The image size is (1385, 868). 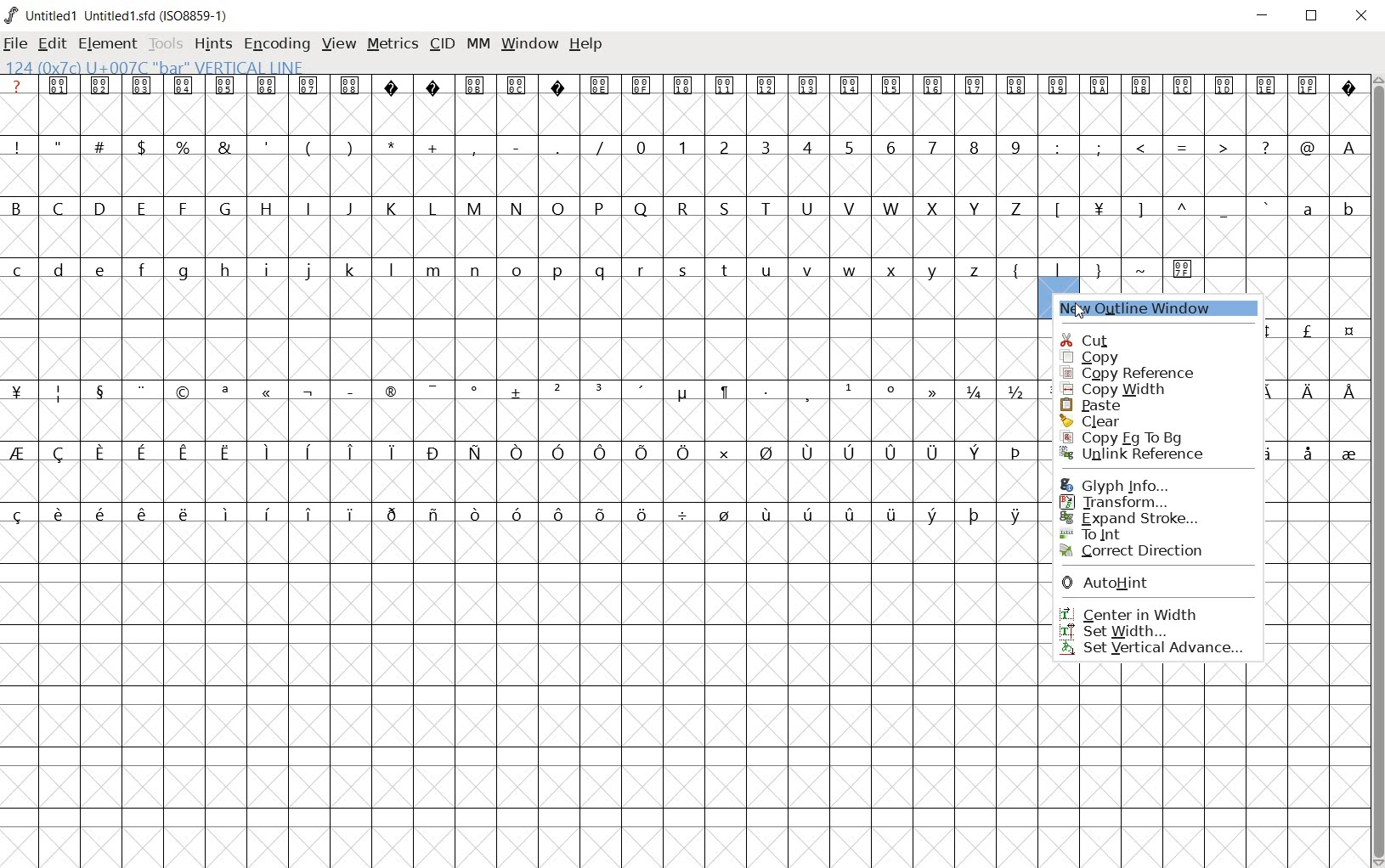 What do you see at coordinates (1157, 532) in the screenshot?
I see `To Int` at bounding box center [1157, 532].